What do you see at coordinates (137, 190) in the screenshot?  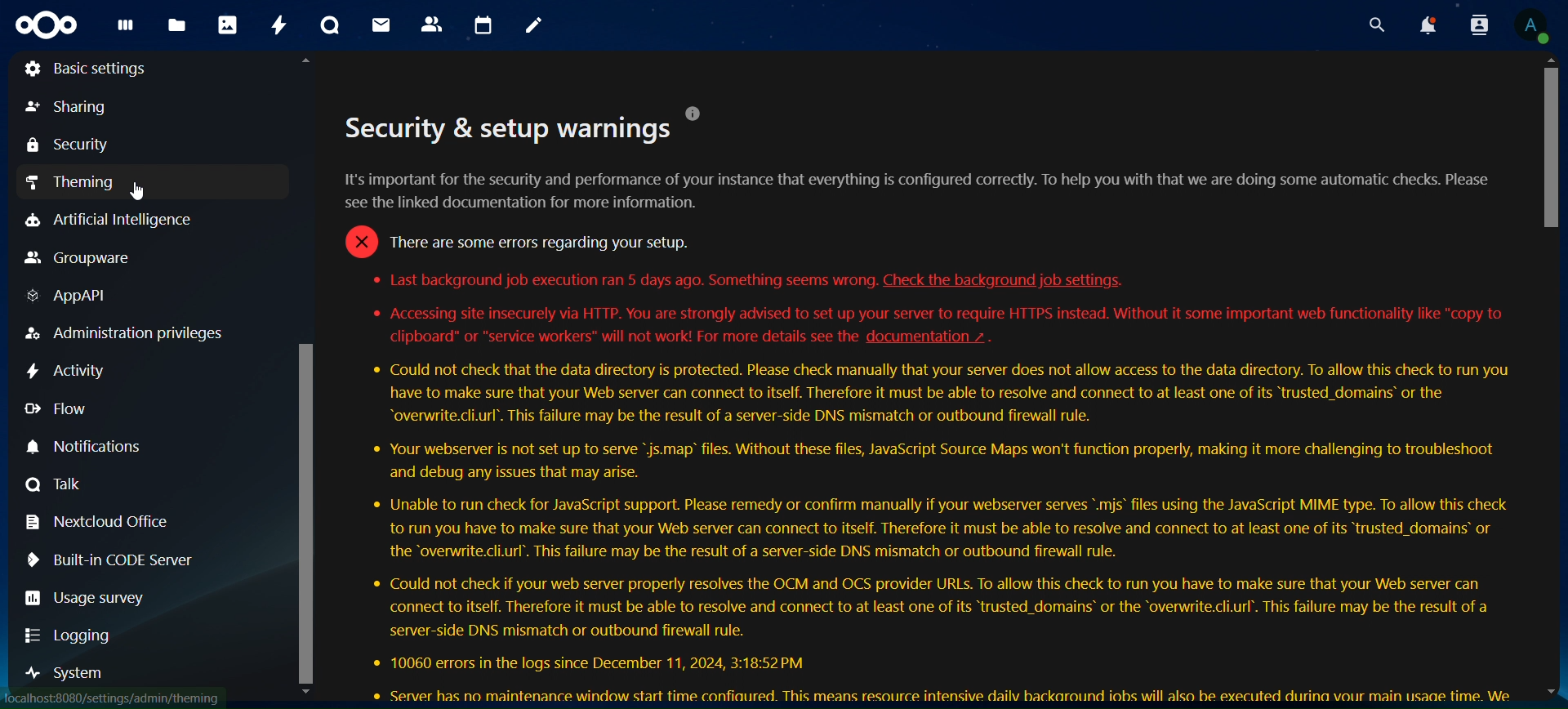 I see `cursor` at bounding box center [137, 190].